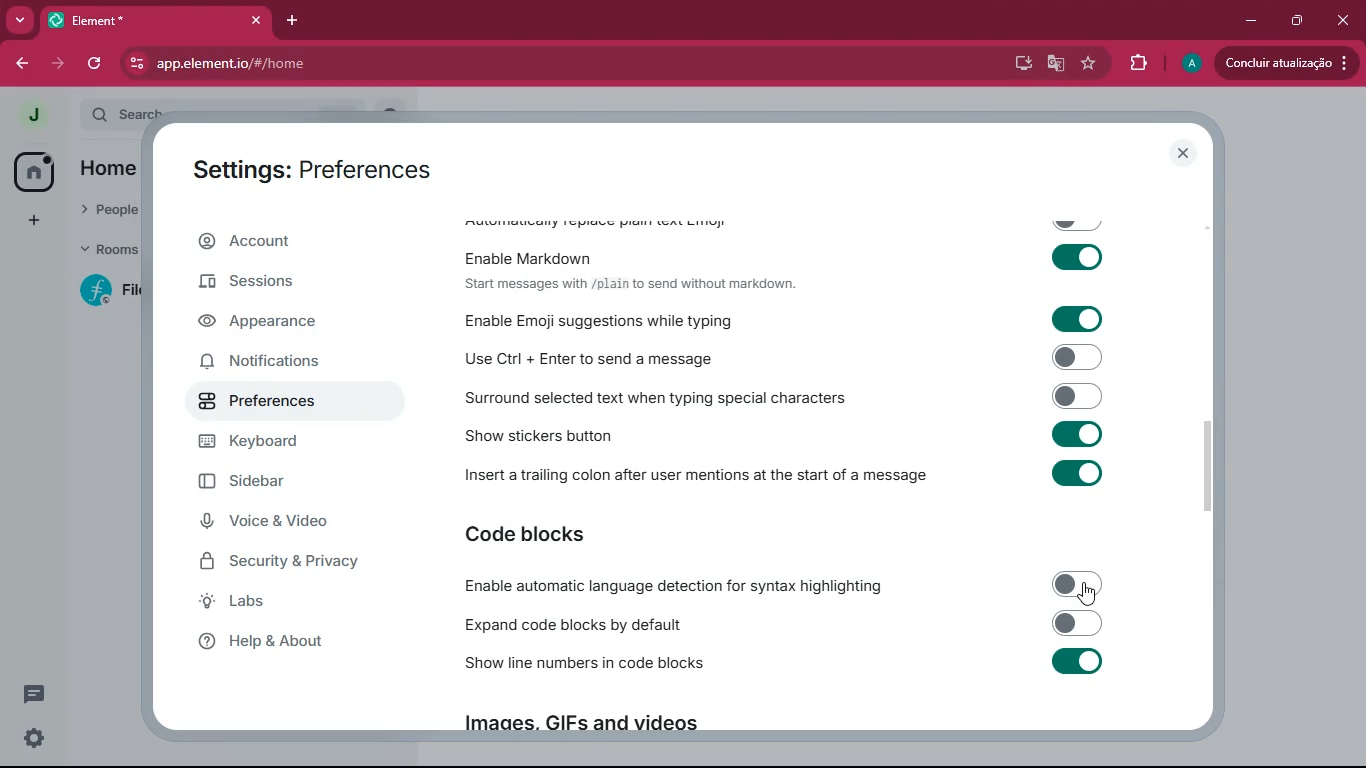 The height and width of the screenshot is (768, 1366). What do you see at coordinates (785, 586) in the screenshot?
I see `Enable automatic language detection for syntax highlighting` at bounding box center [785, 586].